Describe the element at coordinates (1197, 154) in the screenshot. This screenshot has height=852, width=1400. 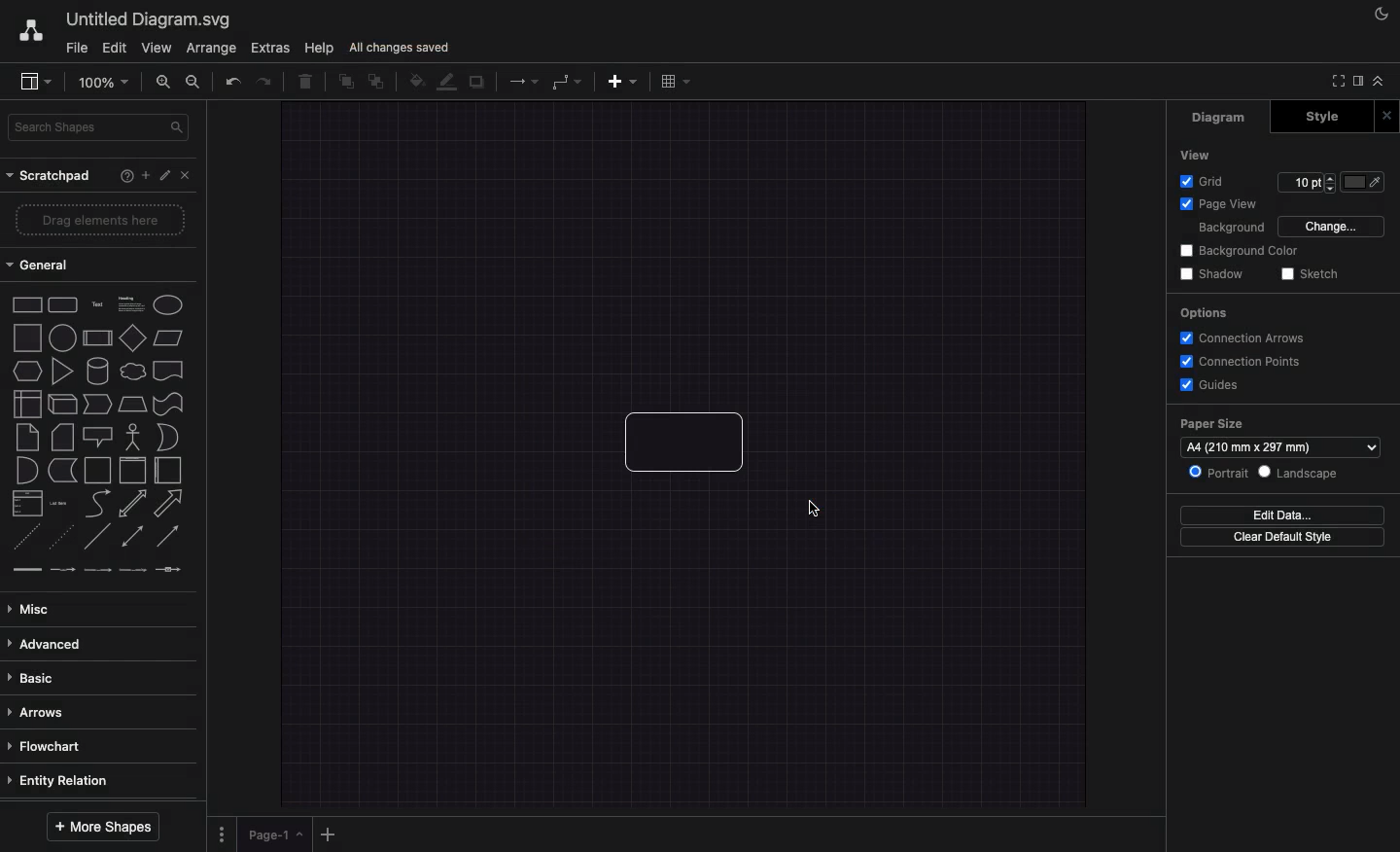
I see `View` at that location.